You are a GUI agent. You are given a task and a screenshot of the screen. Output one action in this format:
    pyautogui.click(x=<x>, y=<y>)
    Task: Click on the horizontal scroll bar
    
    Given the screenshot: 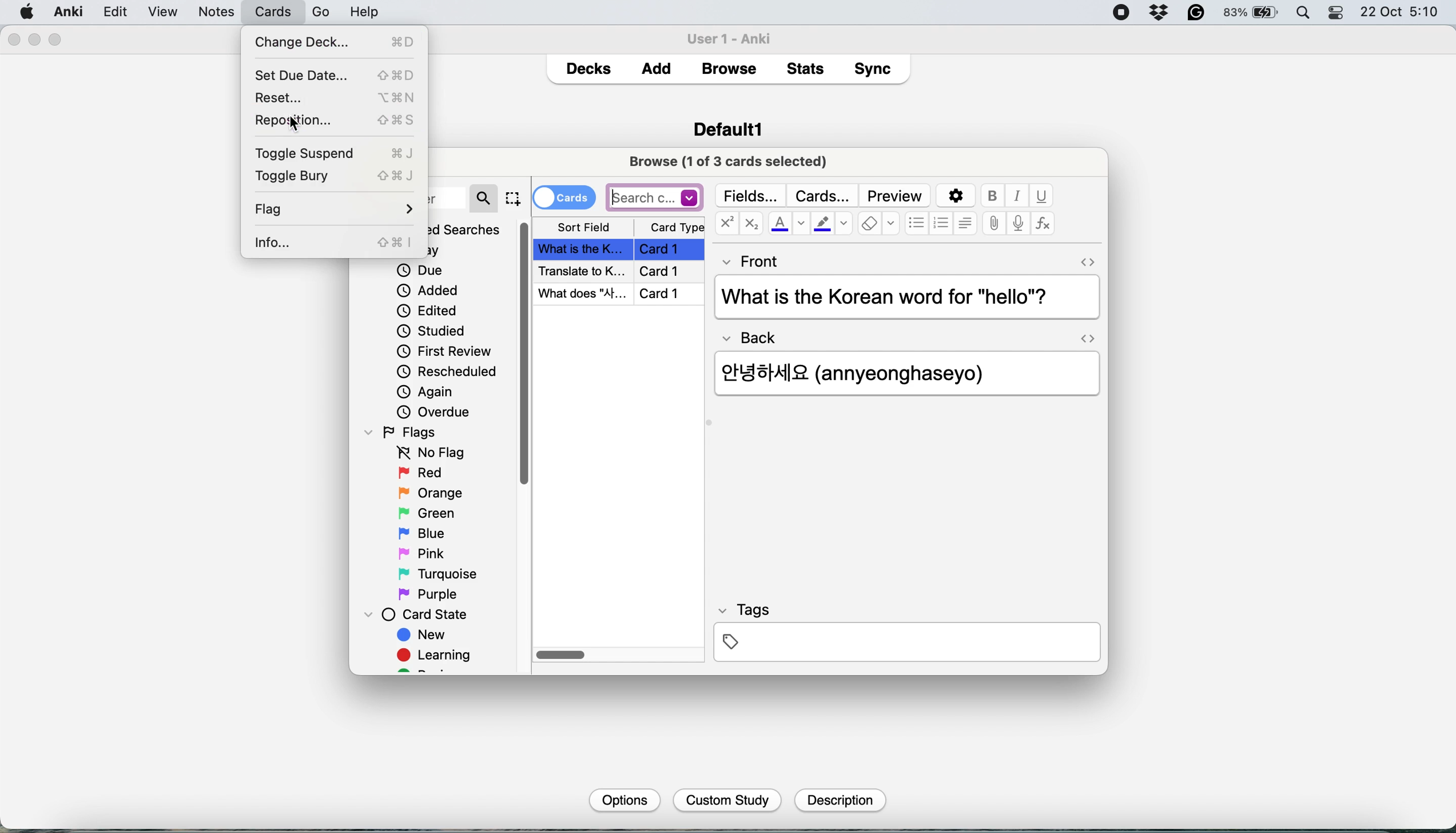 What is the action you would take?
    pyautogui.click(x=562, y=656)
    